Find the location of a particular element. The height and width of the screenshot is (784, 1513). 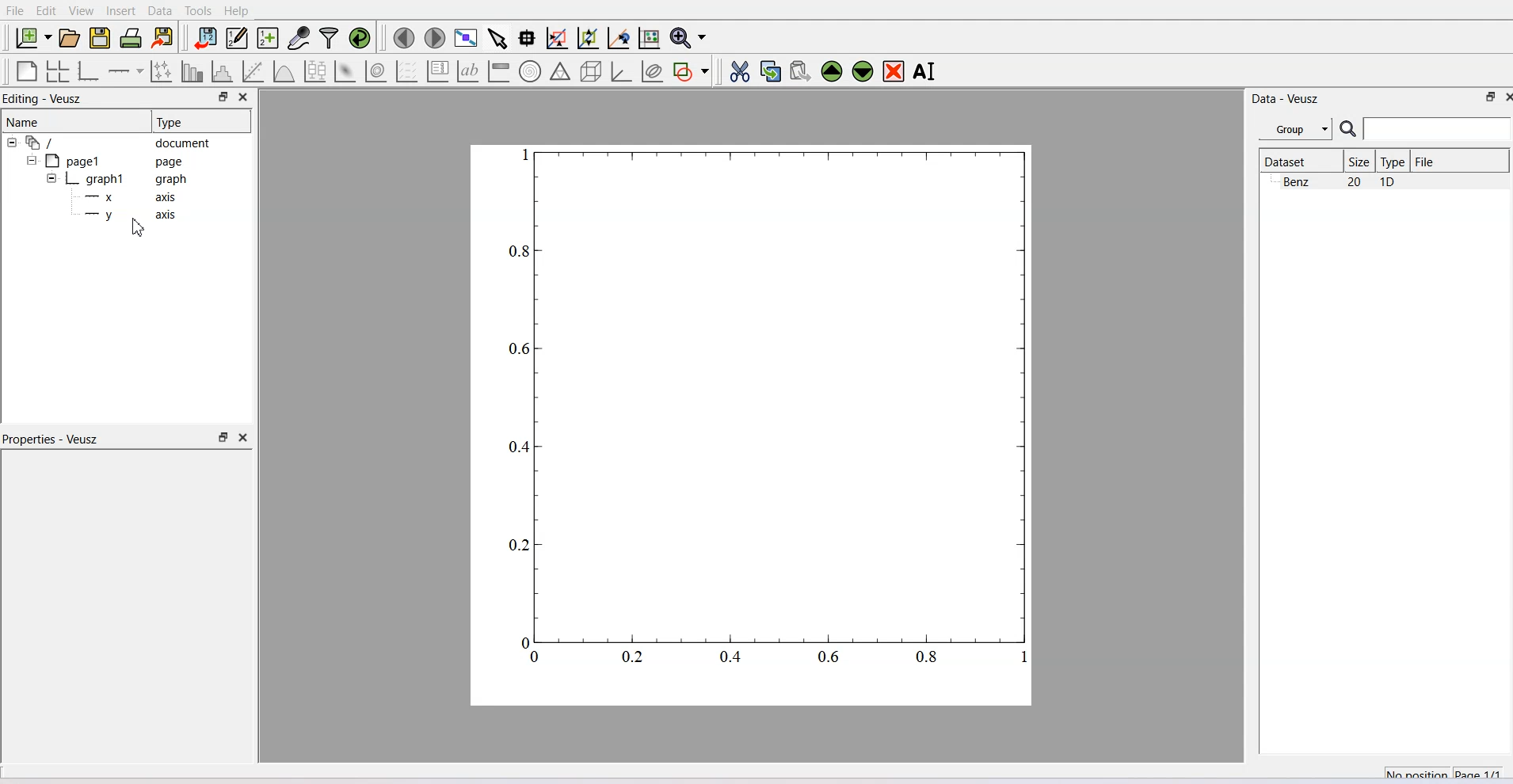

Paste widget from the clipboard is located at coordinates (801, 72).